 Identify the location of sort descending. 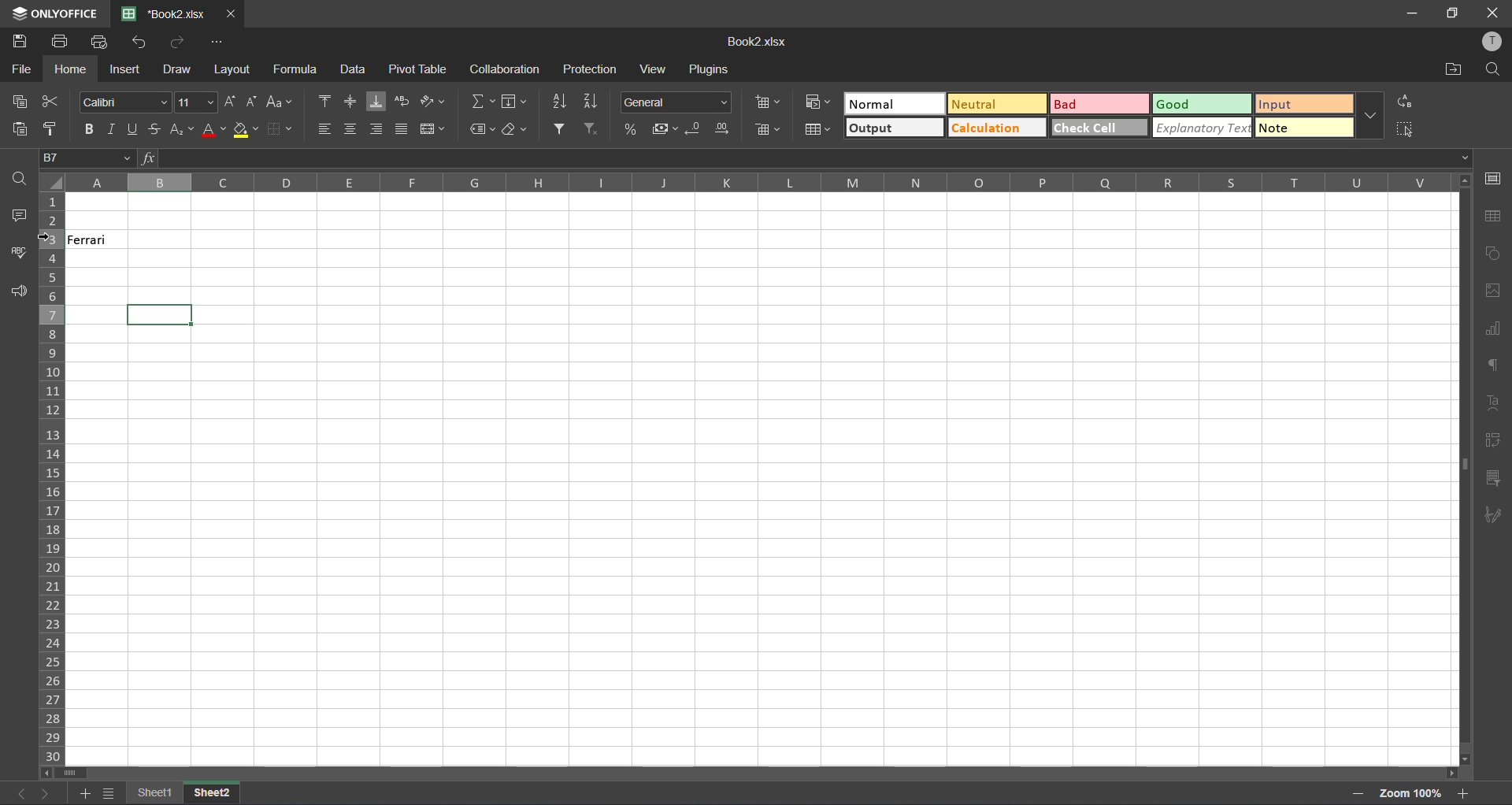
(591, 100).